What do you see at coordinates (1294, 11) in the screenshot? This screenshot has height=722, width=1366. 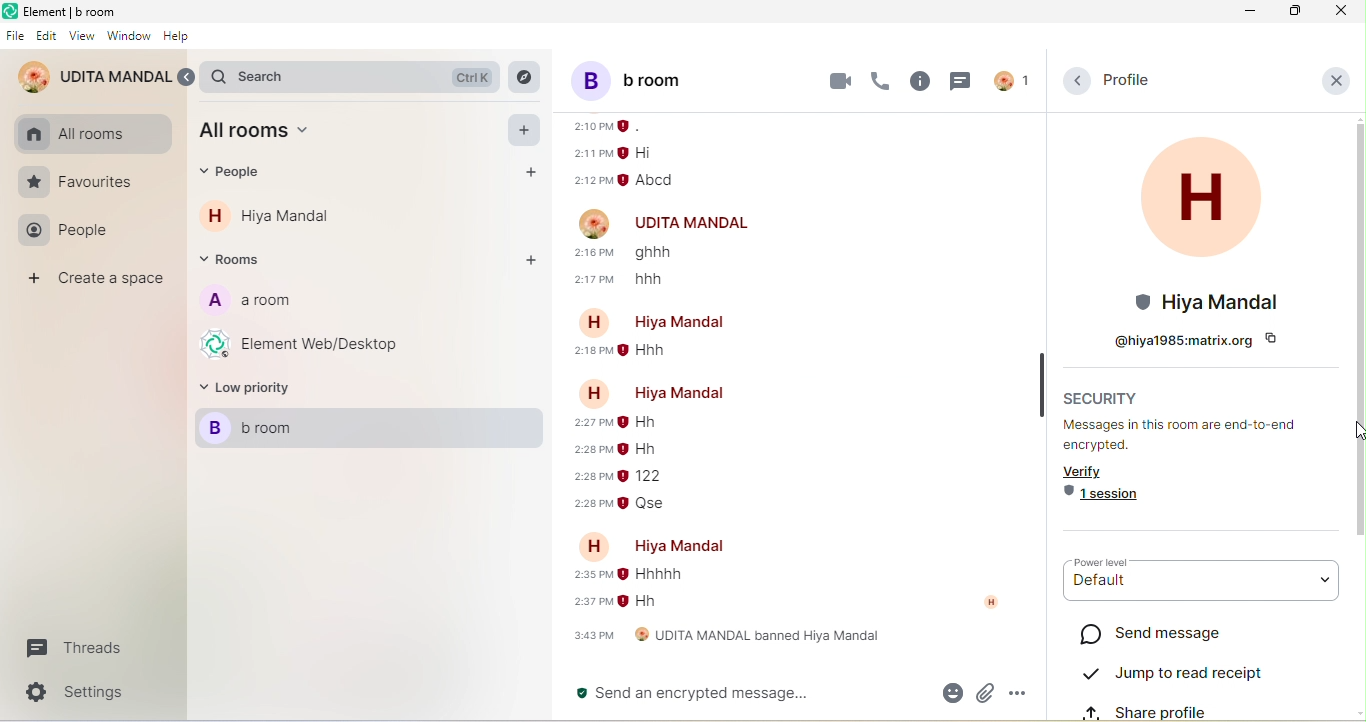 I see `maximize` at bounding box center [1294, 11].